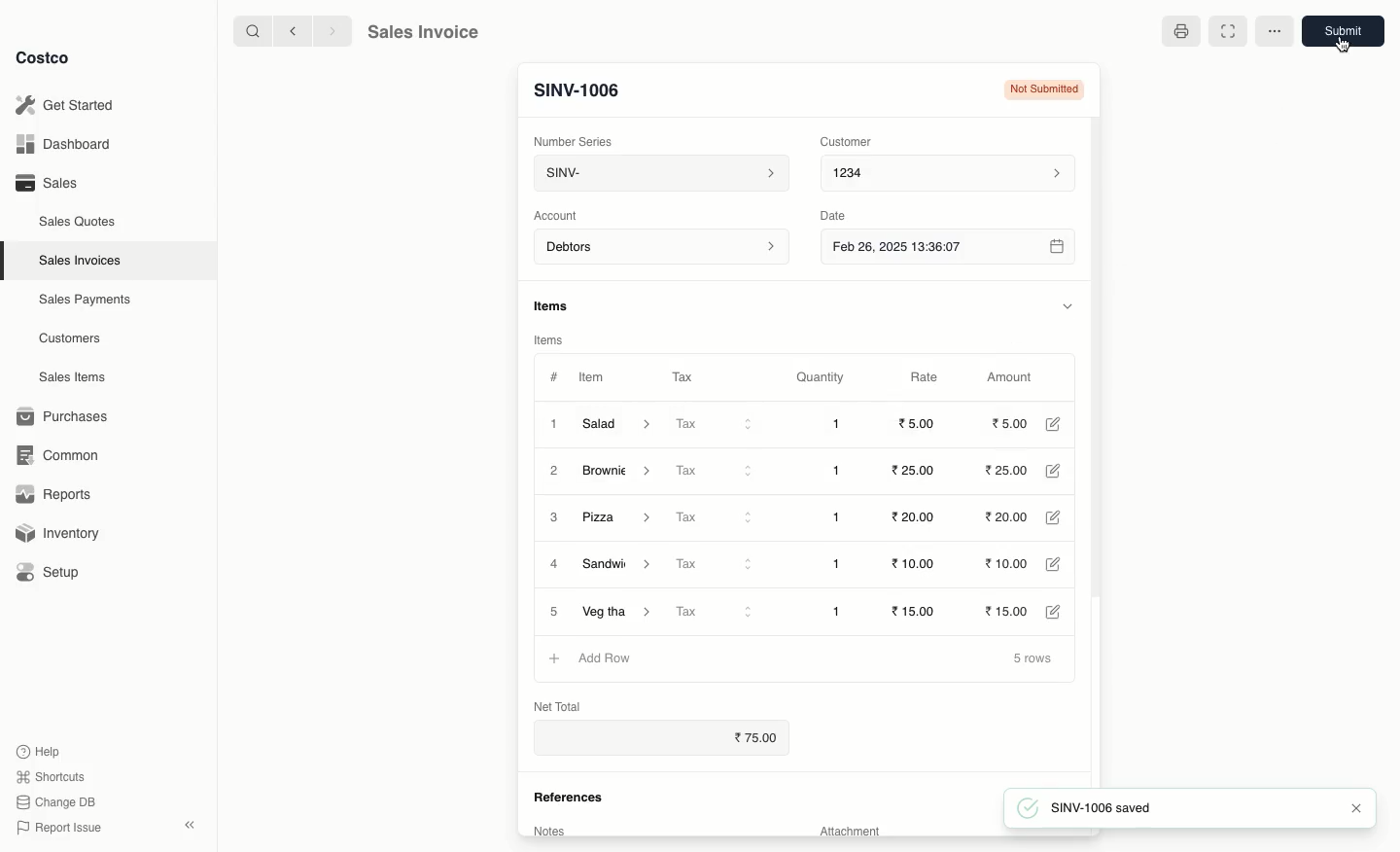  What do you see at coordinates (1344, 32) in the screenshot?
I see `Submit` at bounding box center [1344, 32].